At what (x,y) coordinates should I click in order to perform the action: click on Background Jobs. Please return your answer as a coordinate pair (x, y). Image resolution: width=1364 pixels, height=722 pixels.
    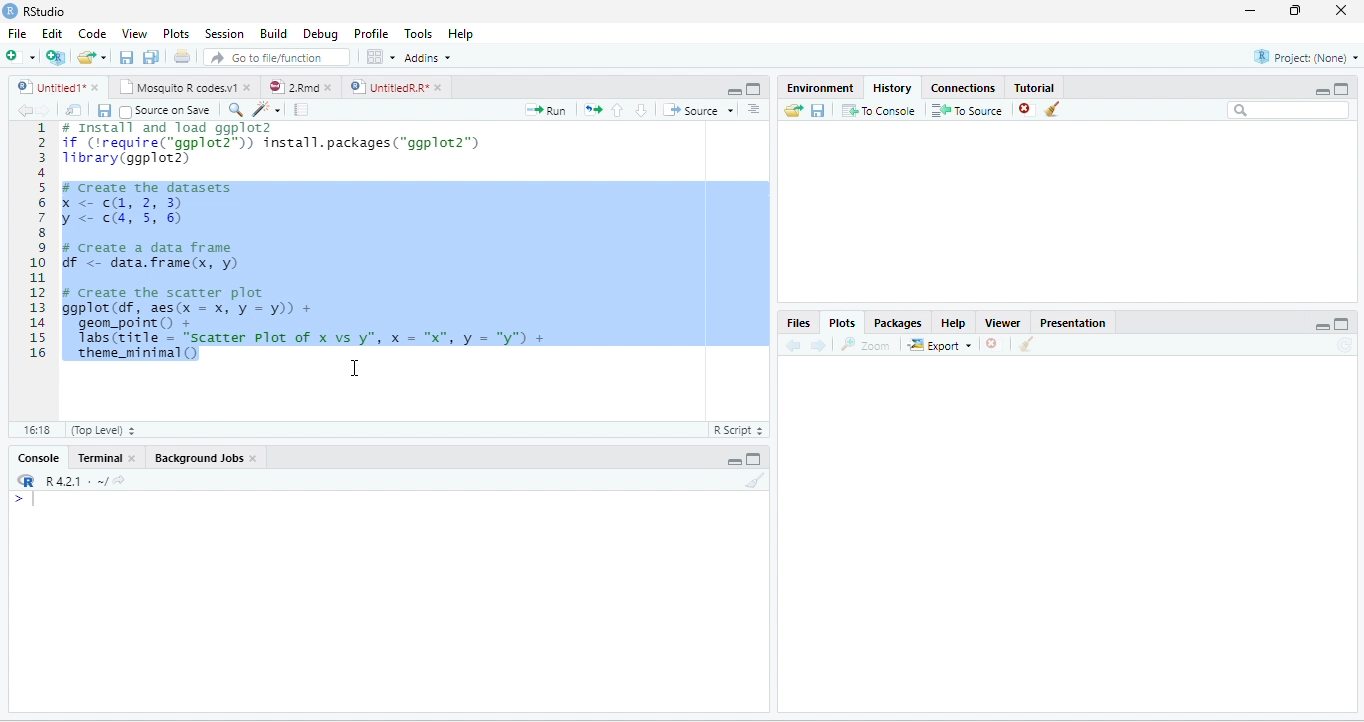
    Looking at the image, I should click on (197, 459).